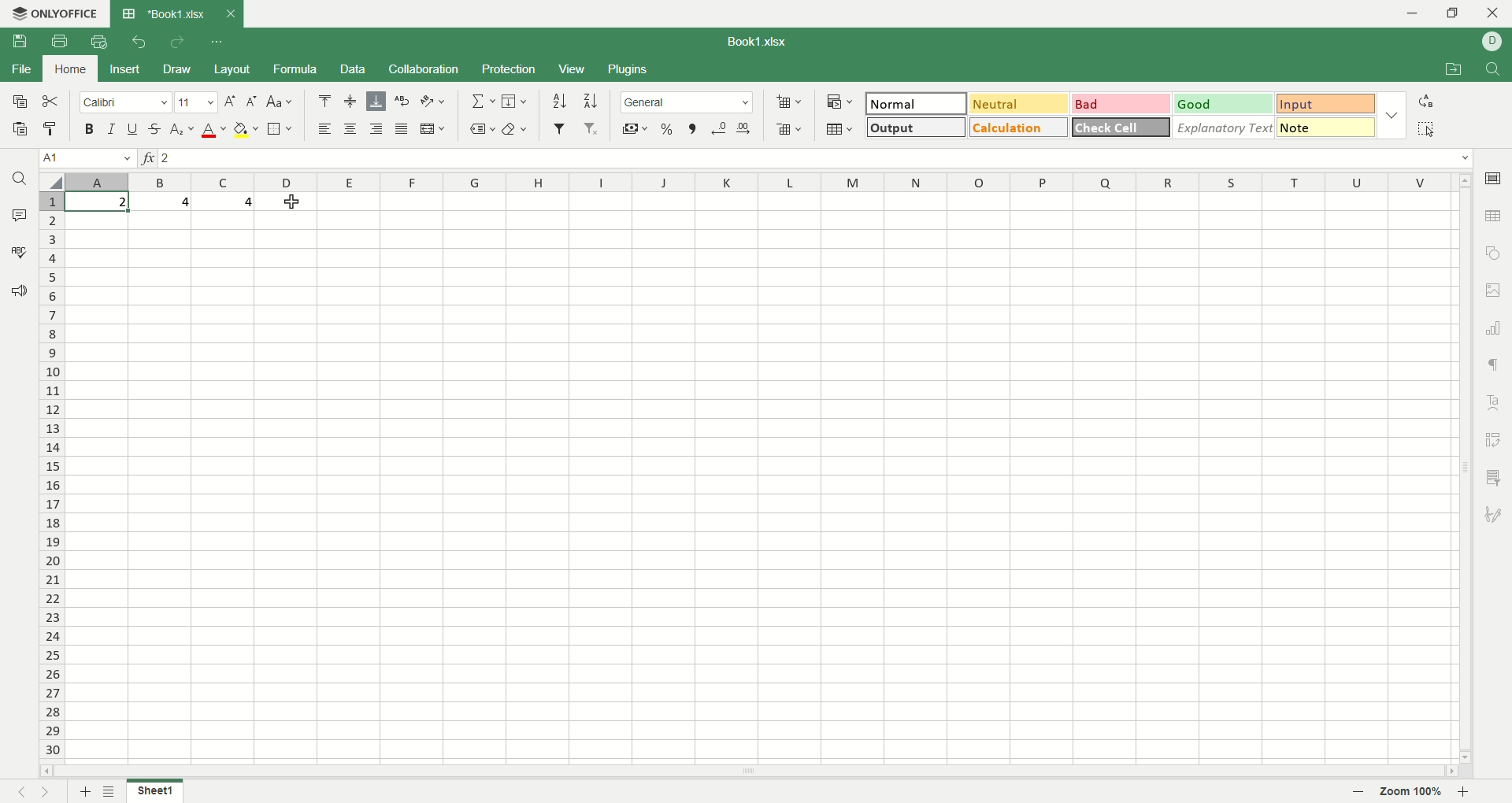  Describe the element at coordinates (351, 130) in the screenshot. I see `align center` at that location.